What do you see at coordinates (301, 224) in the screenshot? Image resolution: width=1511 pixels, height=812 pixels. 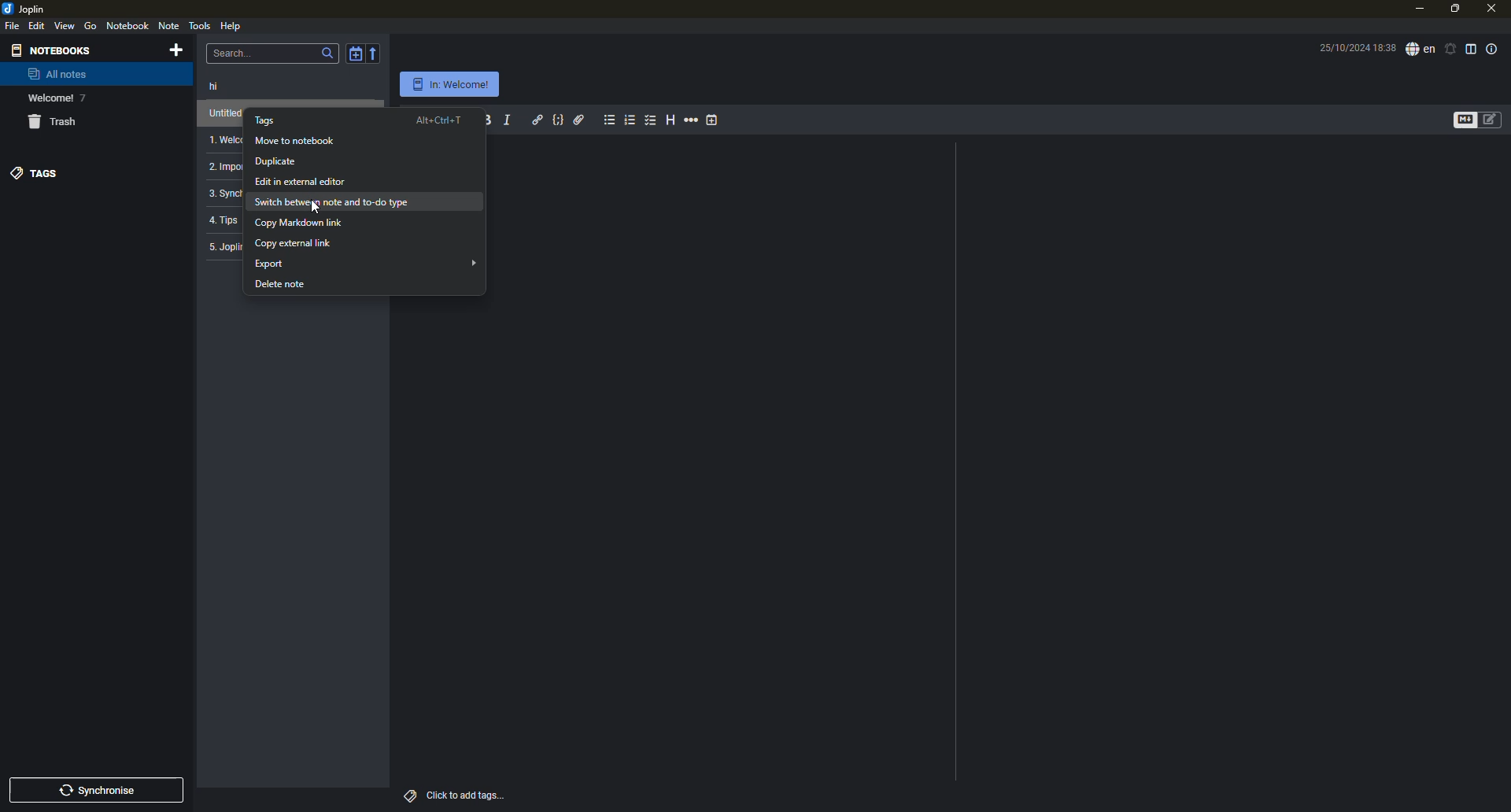 I see `copy markdown link` at bounding box center [301, 224].